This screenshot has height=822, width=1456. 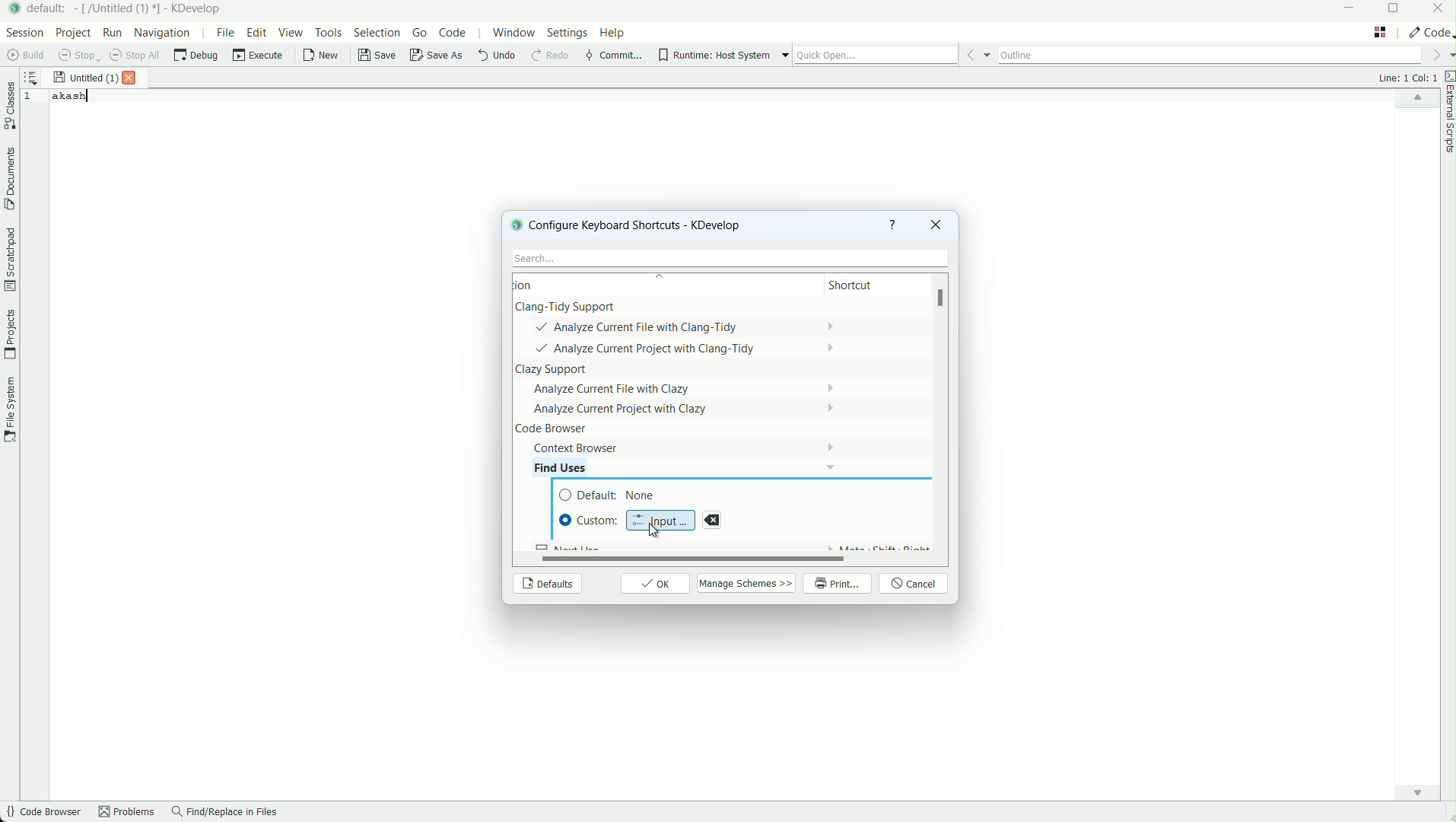 What do you see at coordinates (1447, 114) in the screenshot?
I see `external scripts` at bounding box center [1447, 114].